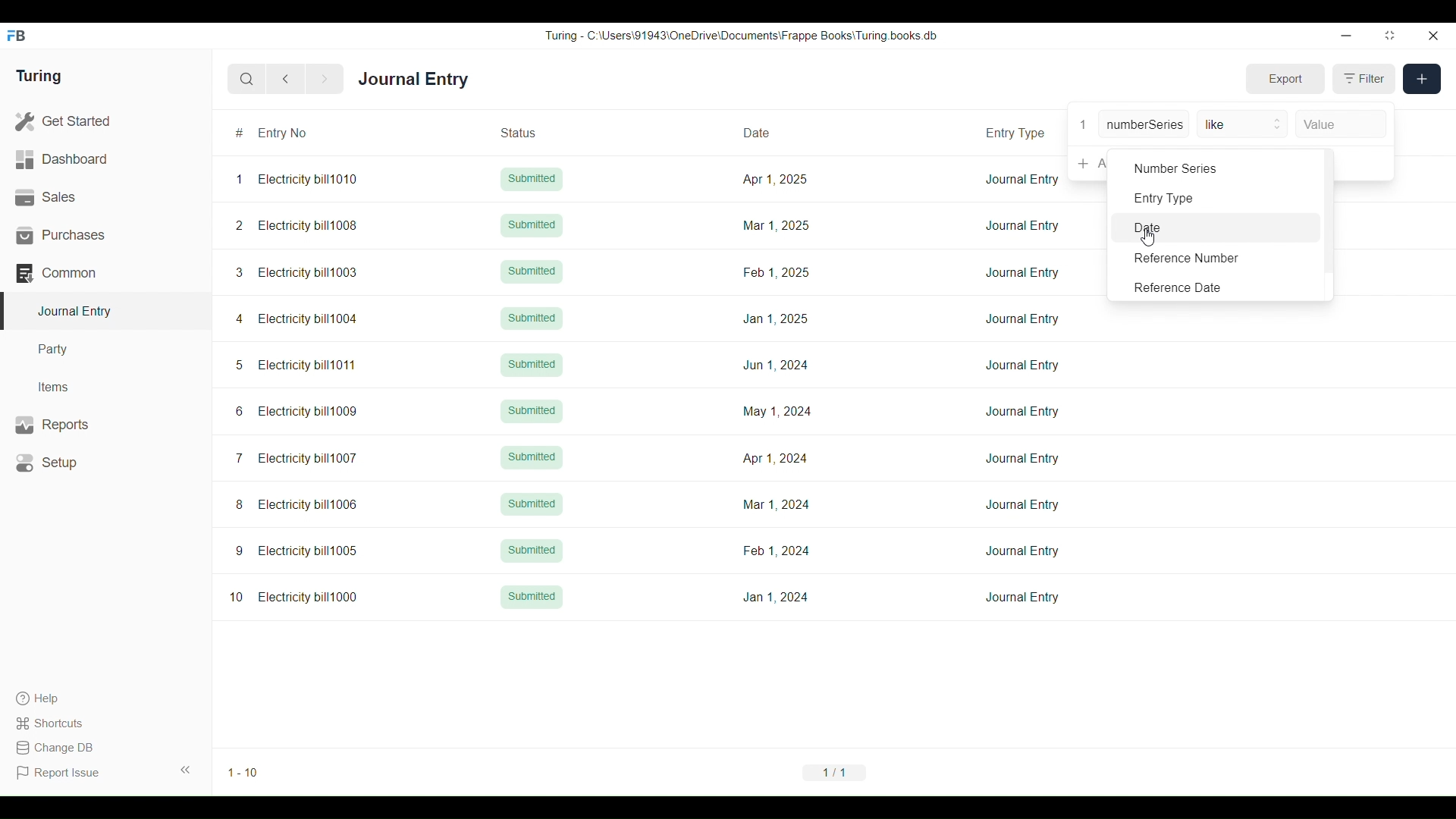 The image size is (1456, 819). Describe the element at coordinates (775, 597) in the screenshot. I see `Jan 1, 2024` at that location.